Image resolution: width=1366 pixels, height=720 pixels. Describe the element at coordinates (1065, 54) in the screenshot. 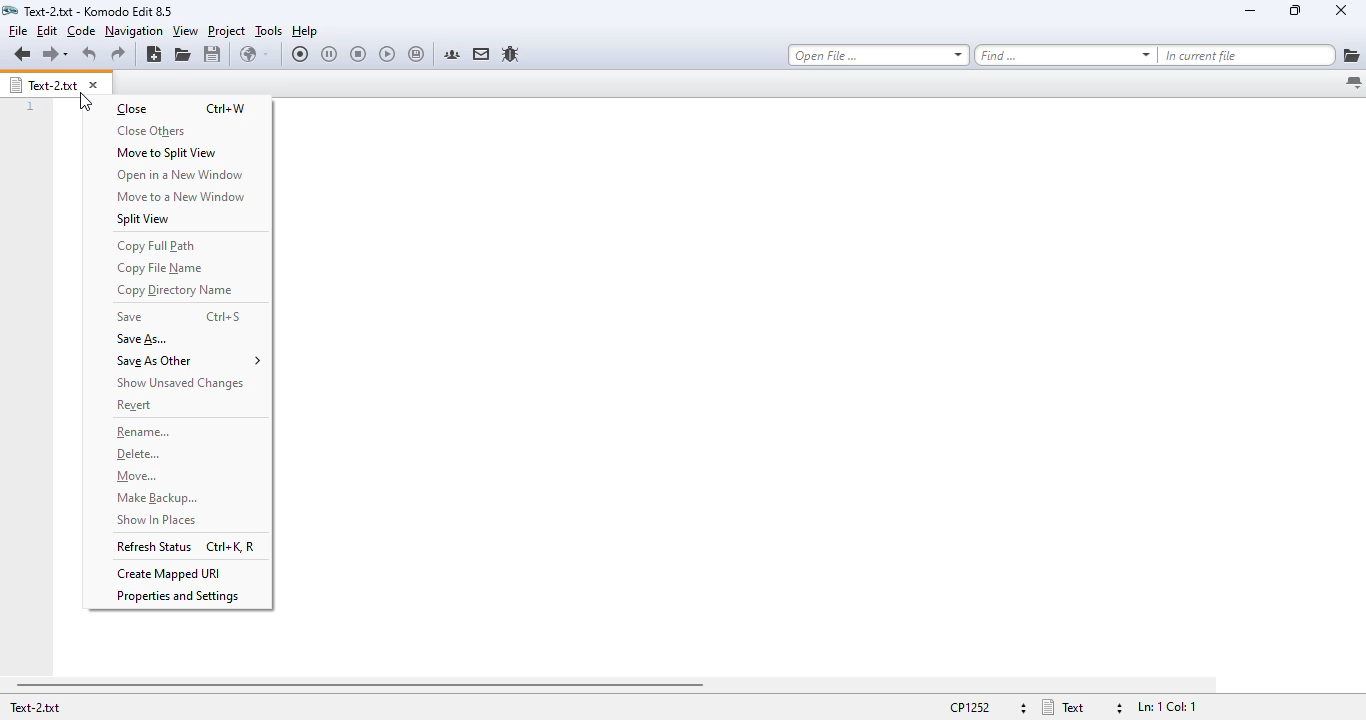

I see `find` at that location.